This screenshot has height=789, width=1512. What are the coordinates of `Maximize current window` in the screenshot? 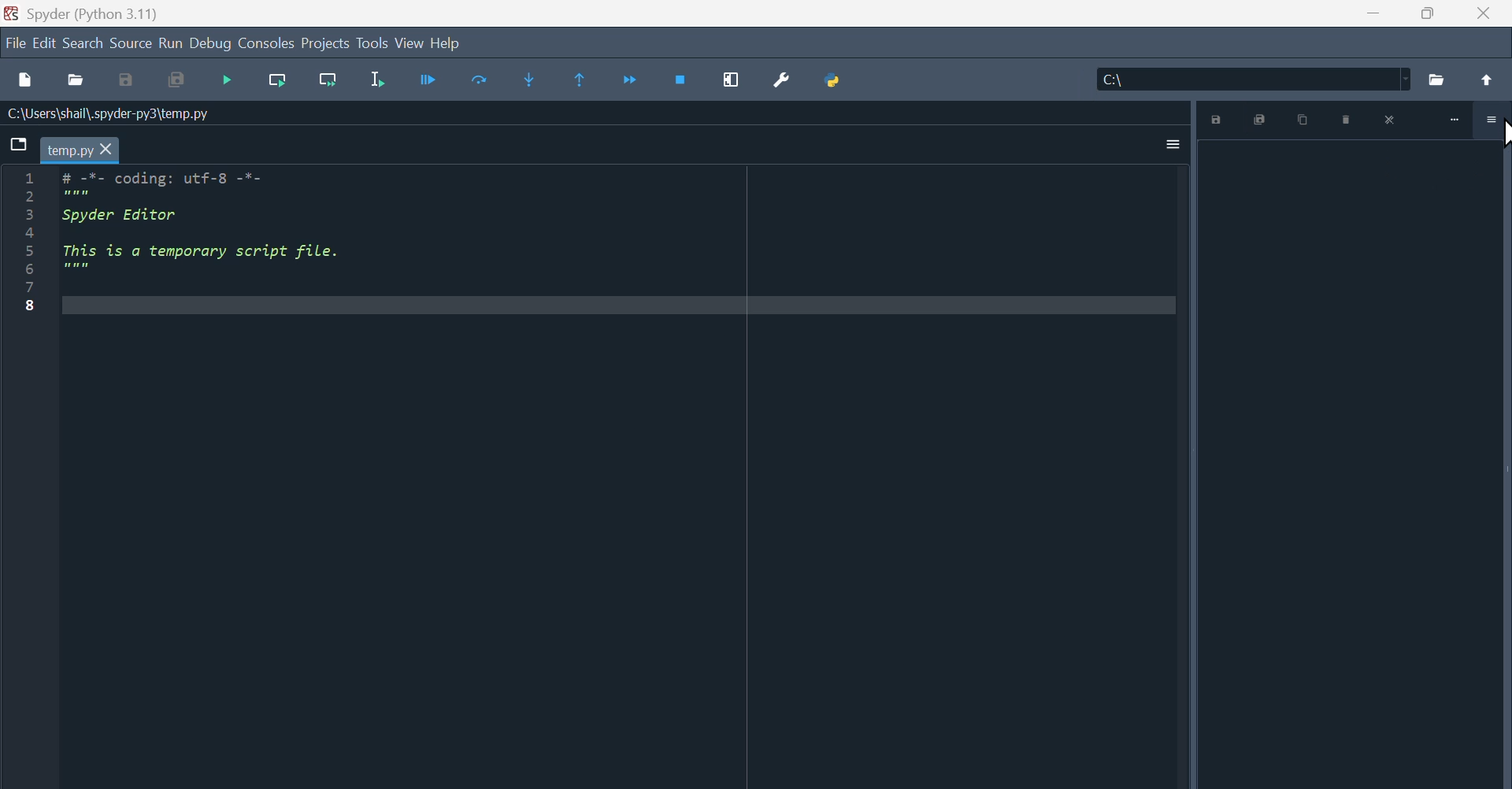 It's located at (728, 78).